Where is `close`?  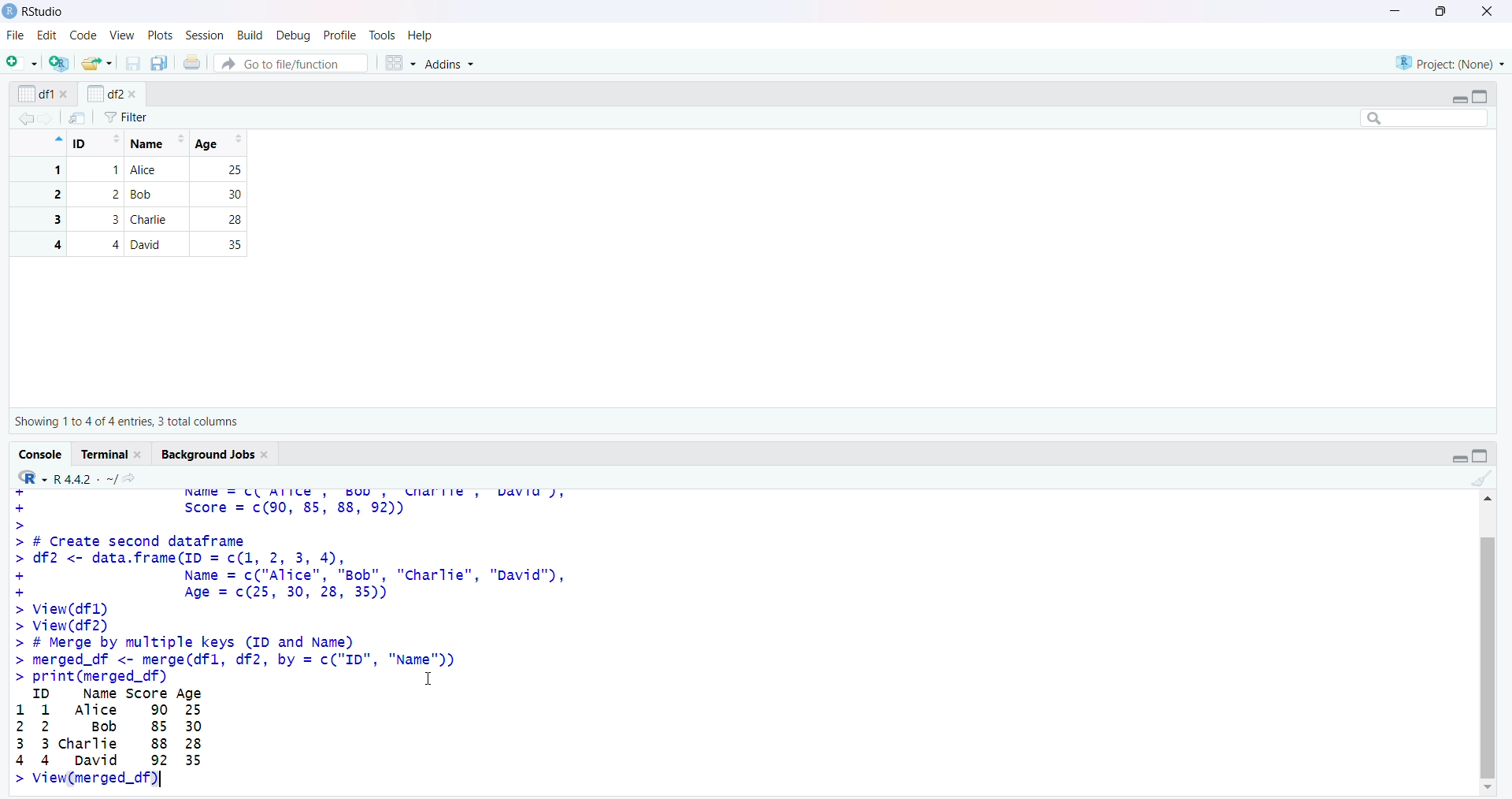
close is located at coordinates (132, 95).